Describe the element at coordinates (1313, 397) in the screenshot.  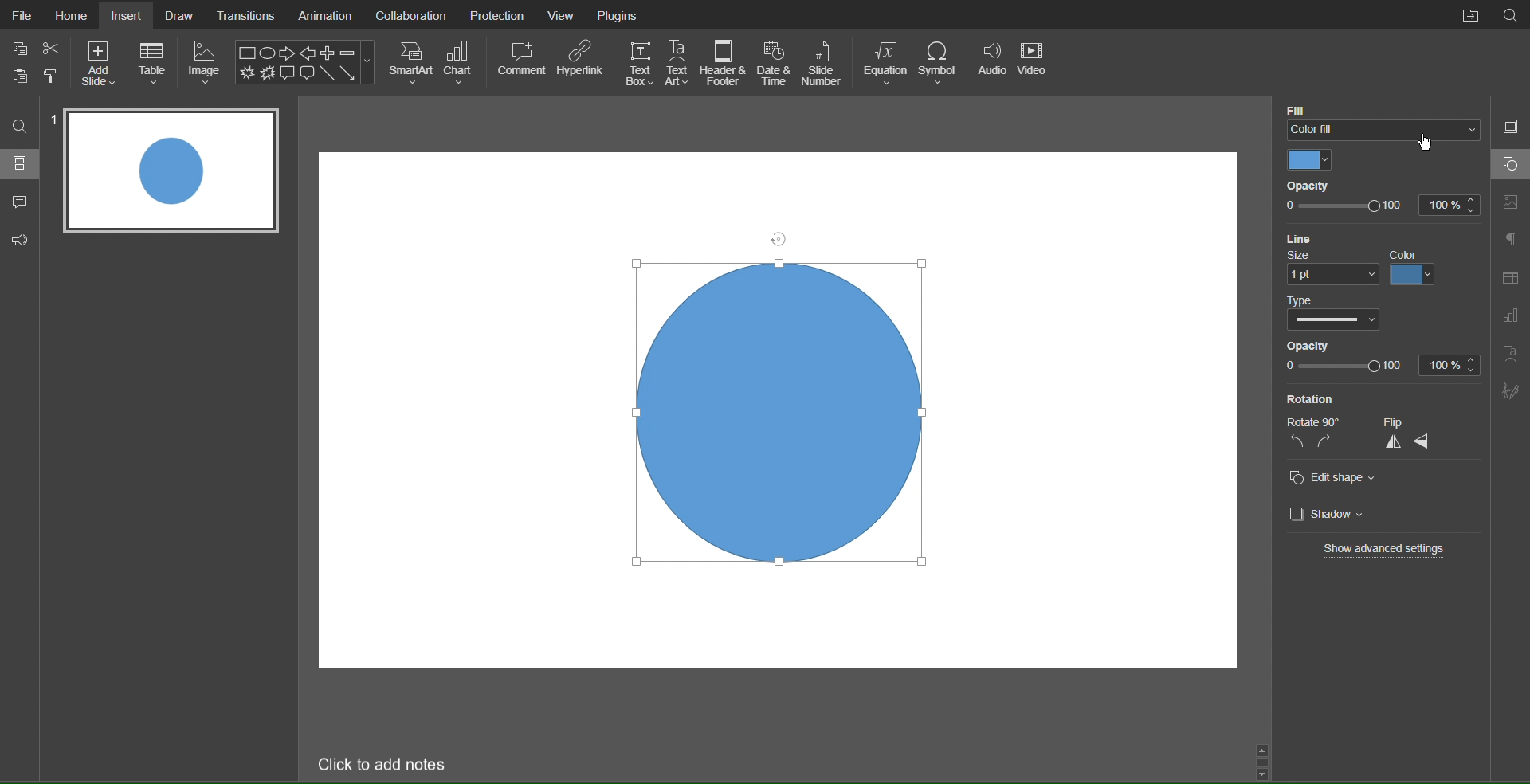
I see `Rotation` at that location.